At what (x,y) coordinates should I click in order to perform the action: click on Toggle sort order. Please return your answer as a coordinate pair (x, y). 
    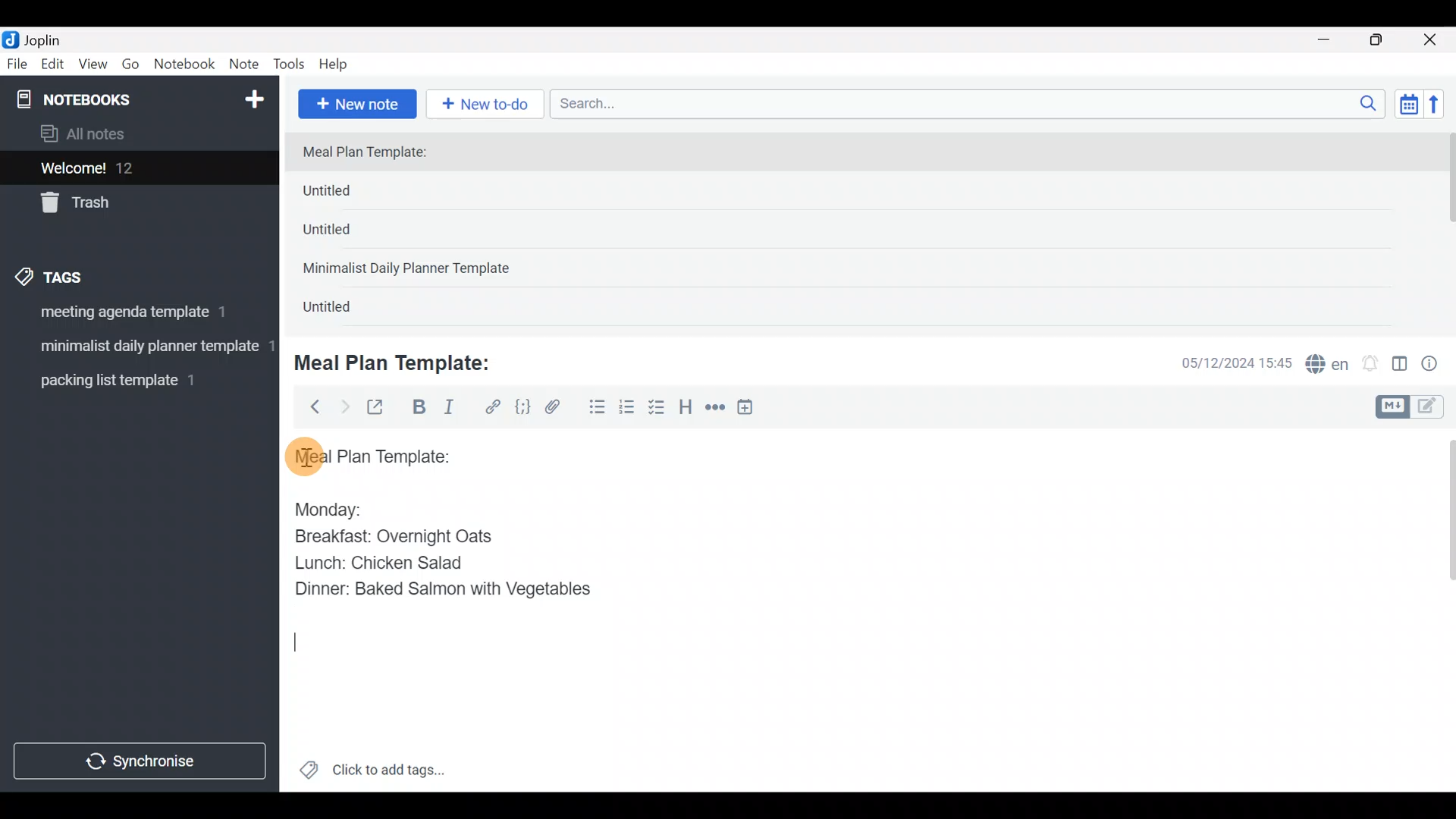
    Looking at the image, I should click on (1408, 105).